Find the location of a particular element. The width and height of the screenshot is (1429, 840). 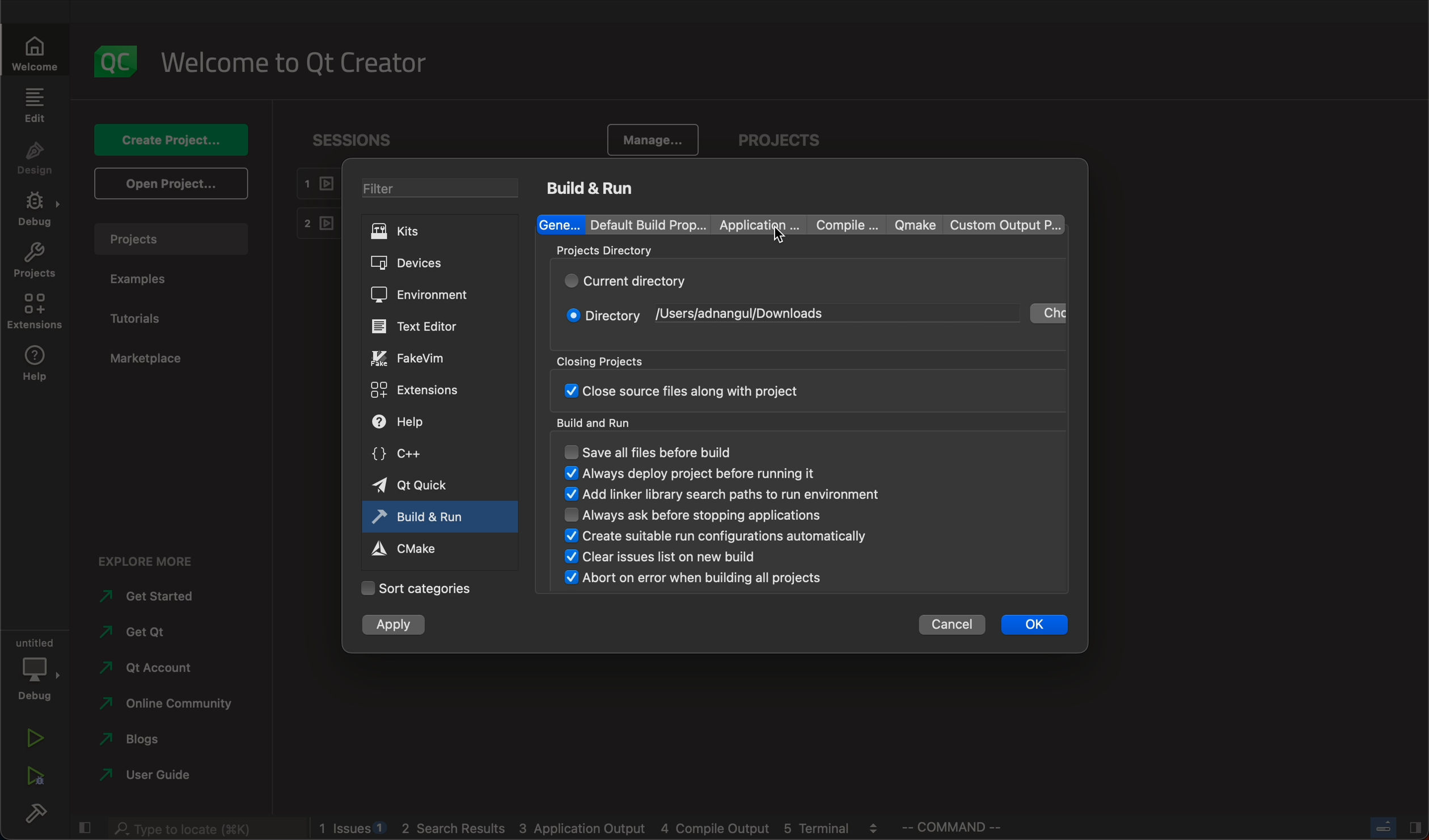

account is located at coordinates (156, 668).